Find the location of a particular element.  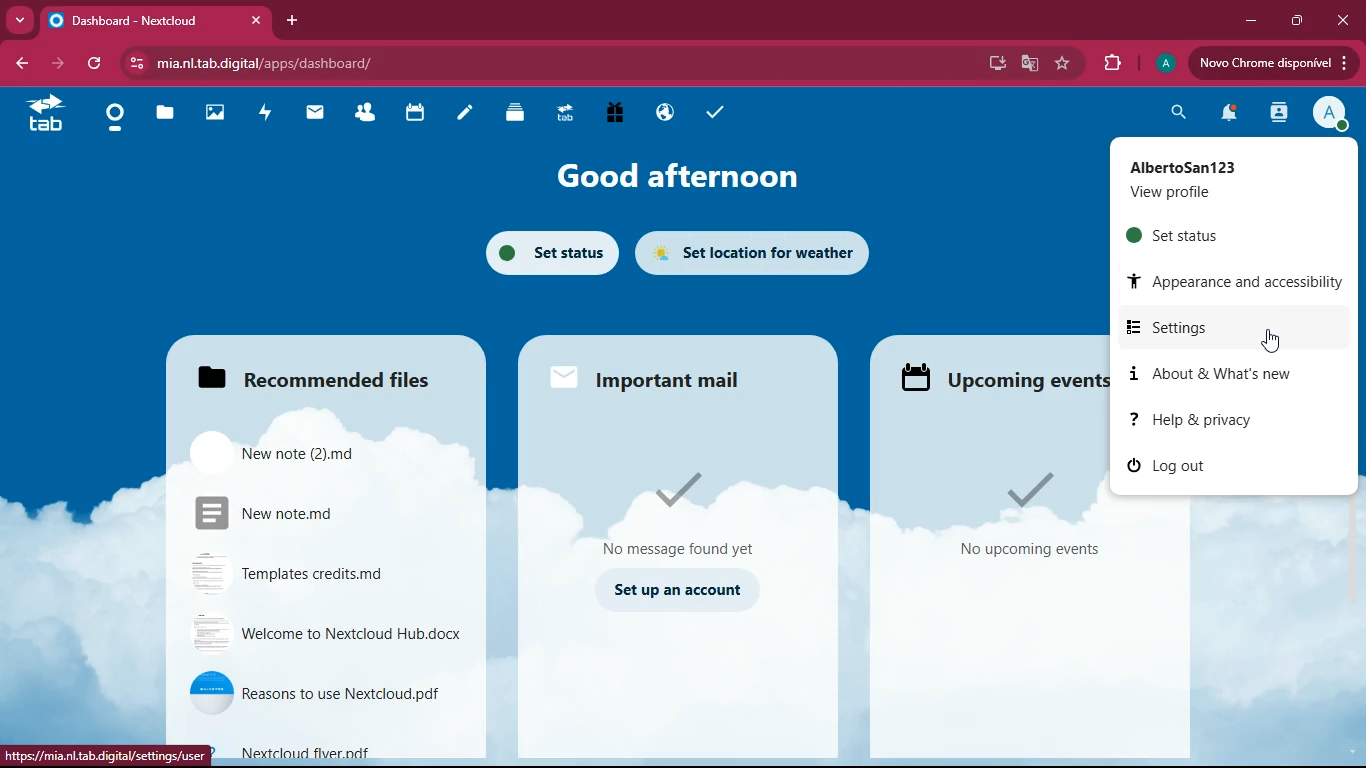

about is located at coordinates (1231, 371).